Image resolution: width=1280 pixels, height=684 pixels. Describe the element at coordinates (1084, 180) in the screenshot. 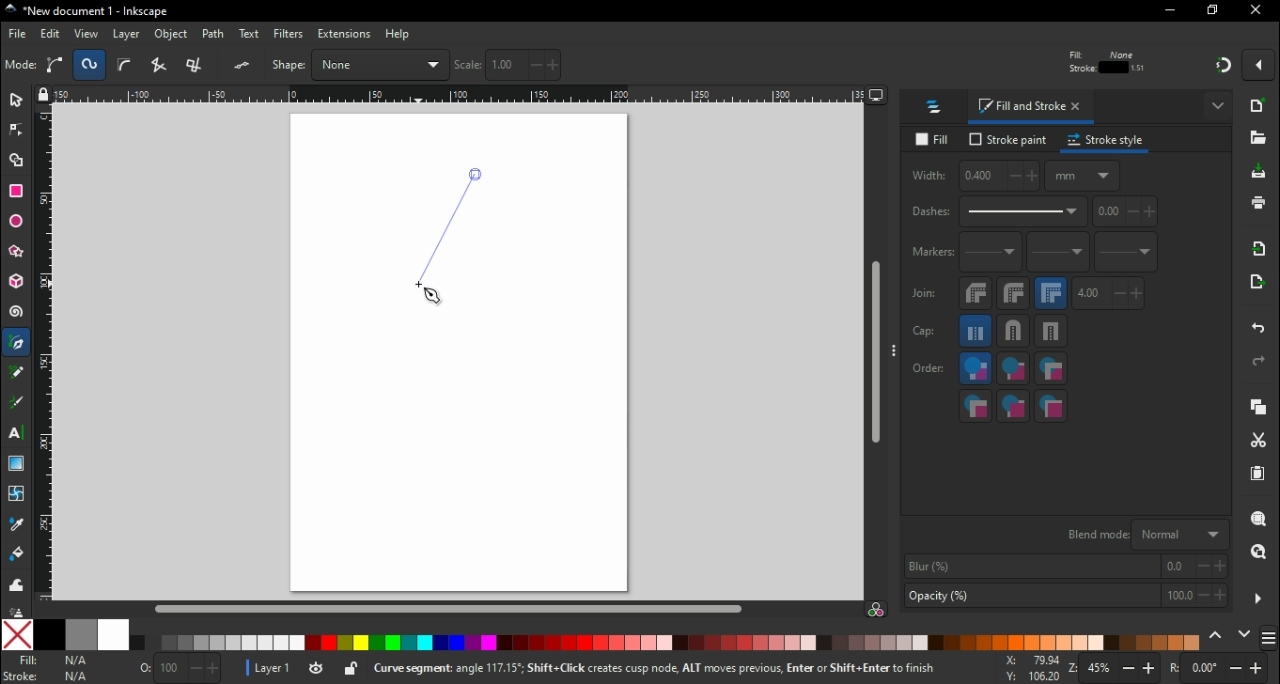

I see `units` at that location.